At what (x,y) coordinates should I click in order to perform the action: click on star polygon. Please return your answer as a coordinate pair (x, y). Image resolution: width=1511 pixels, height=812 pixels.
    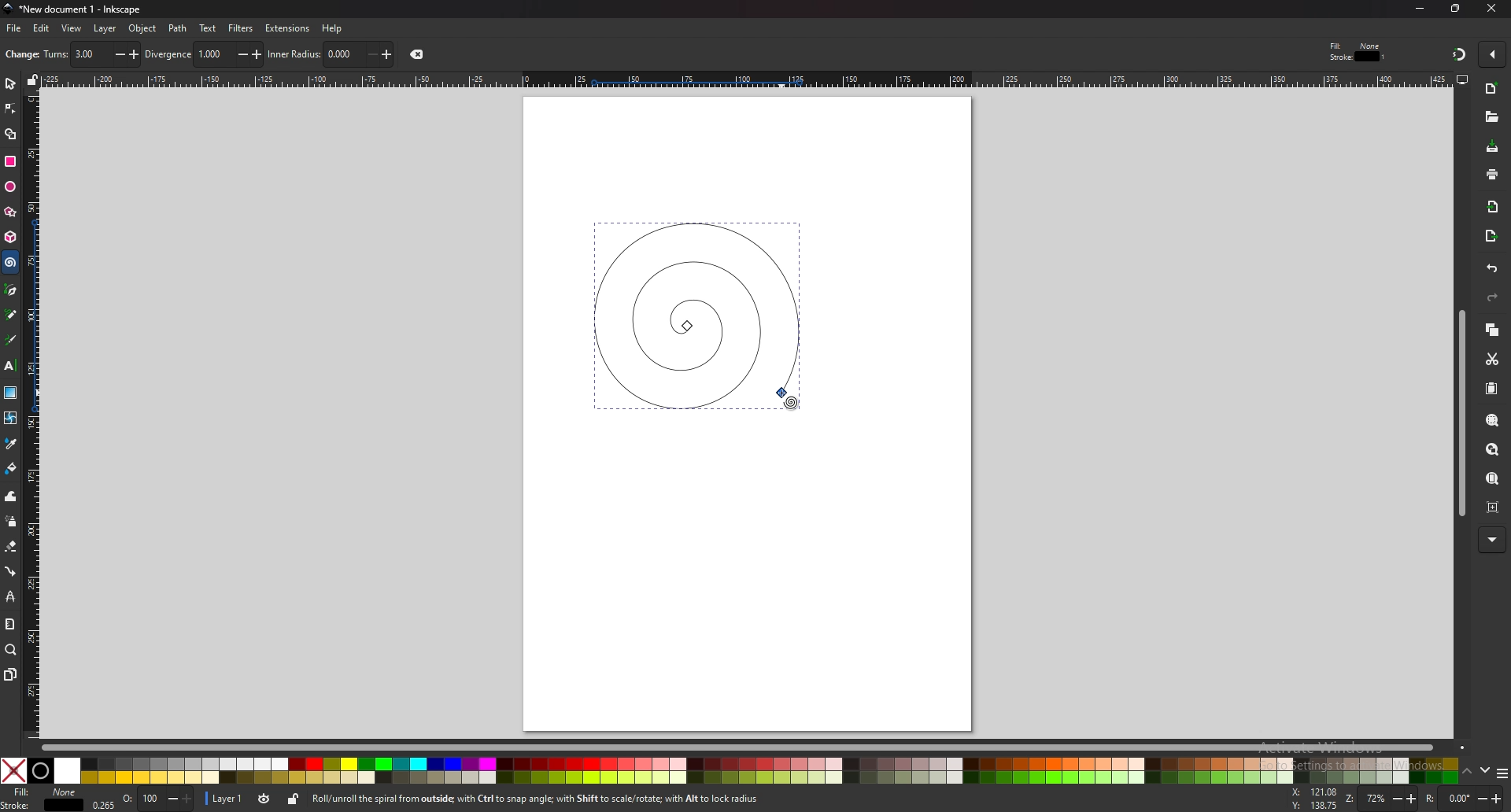
    Looking at the image, I should click on (10, 212).